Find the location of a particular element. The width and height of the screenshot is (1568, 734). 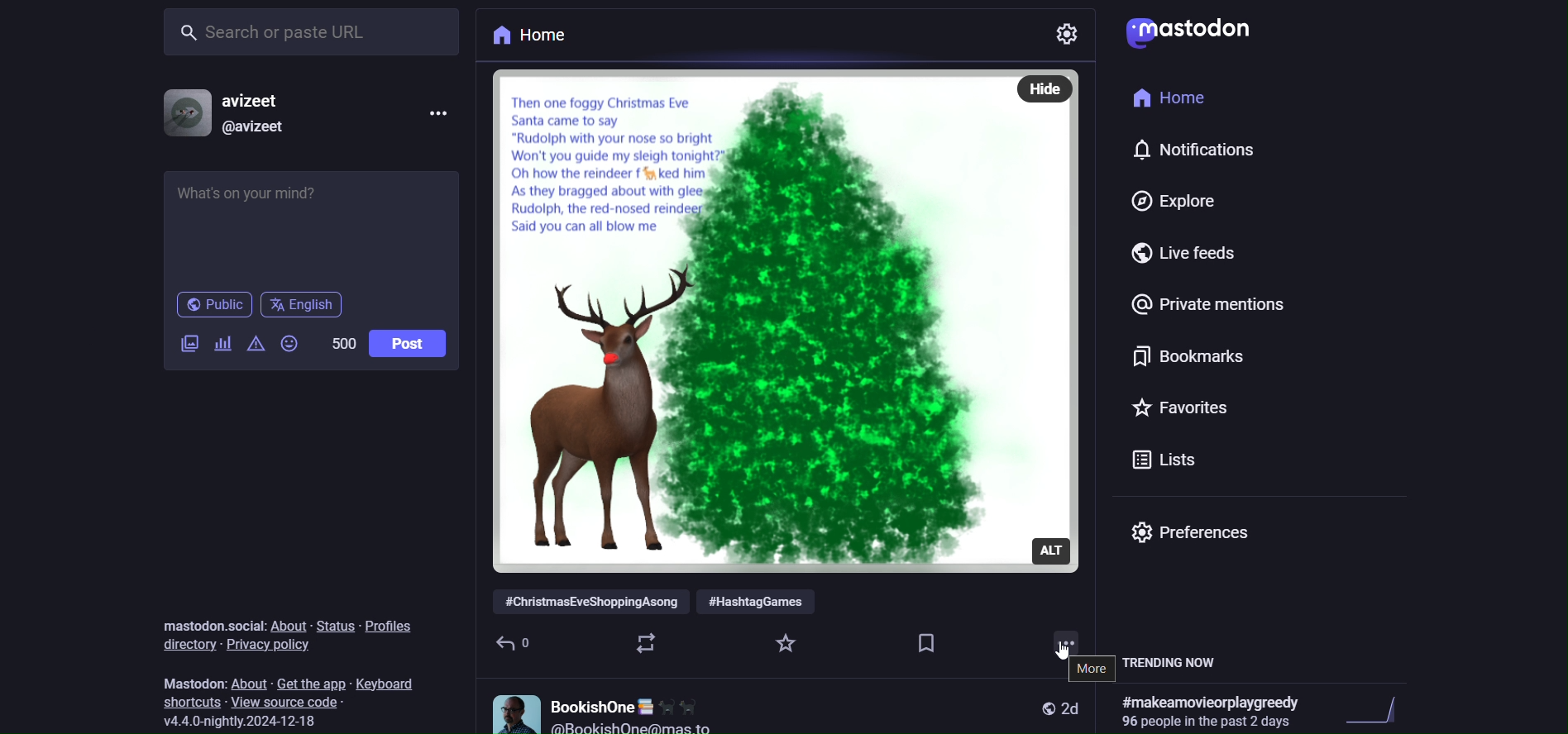

home is located at coordinates (1167, 98).